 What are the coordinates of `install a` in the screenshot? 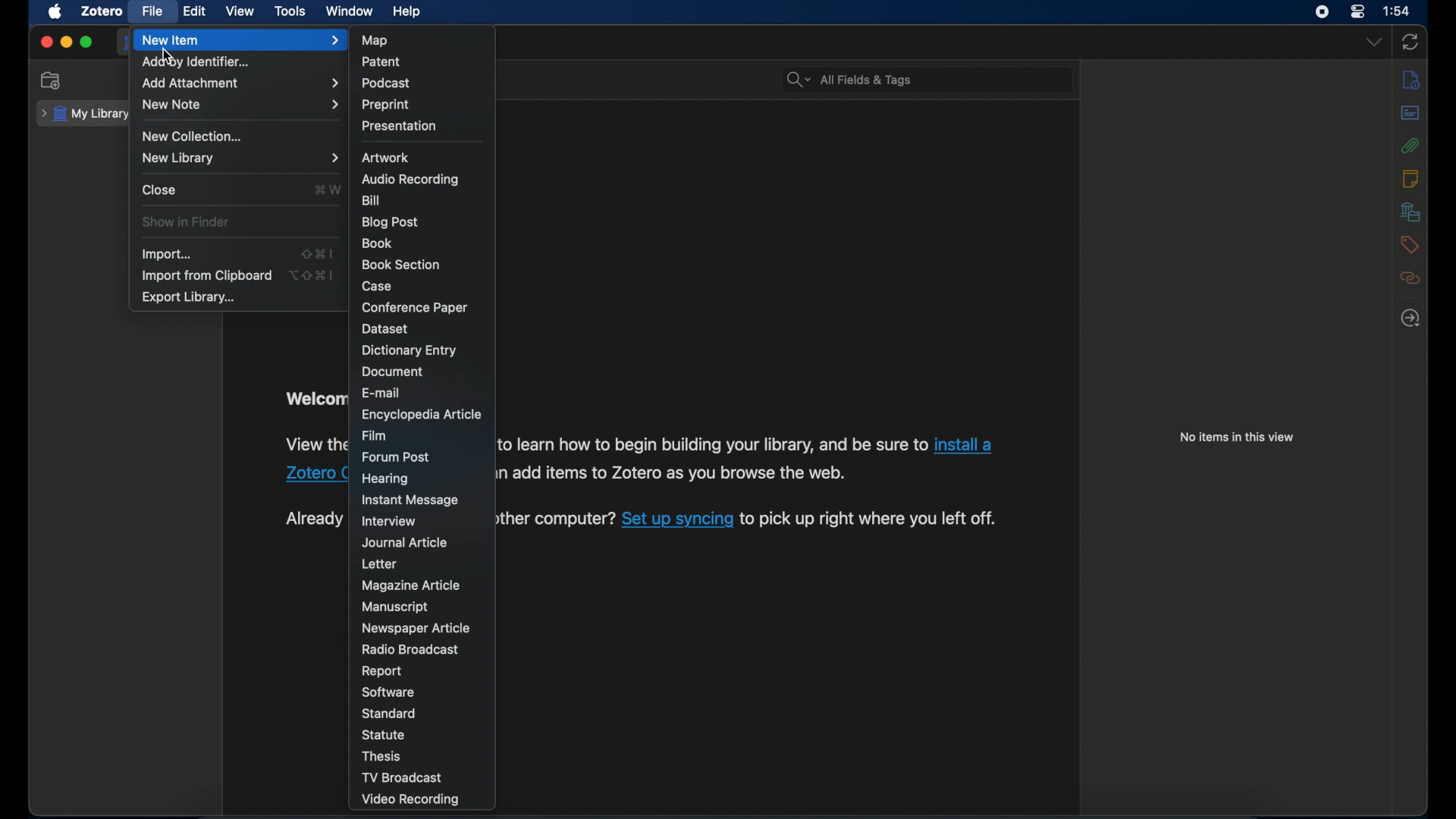 It's located at (968, 444).